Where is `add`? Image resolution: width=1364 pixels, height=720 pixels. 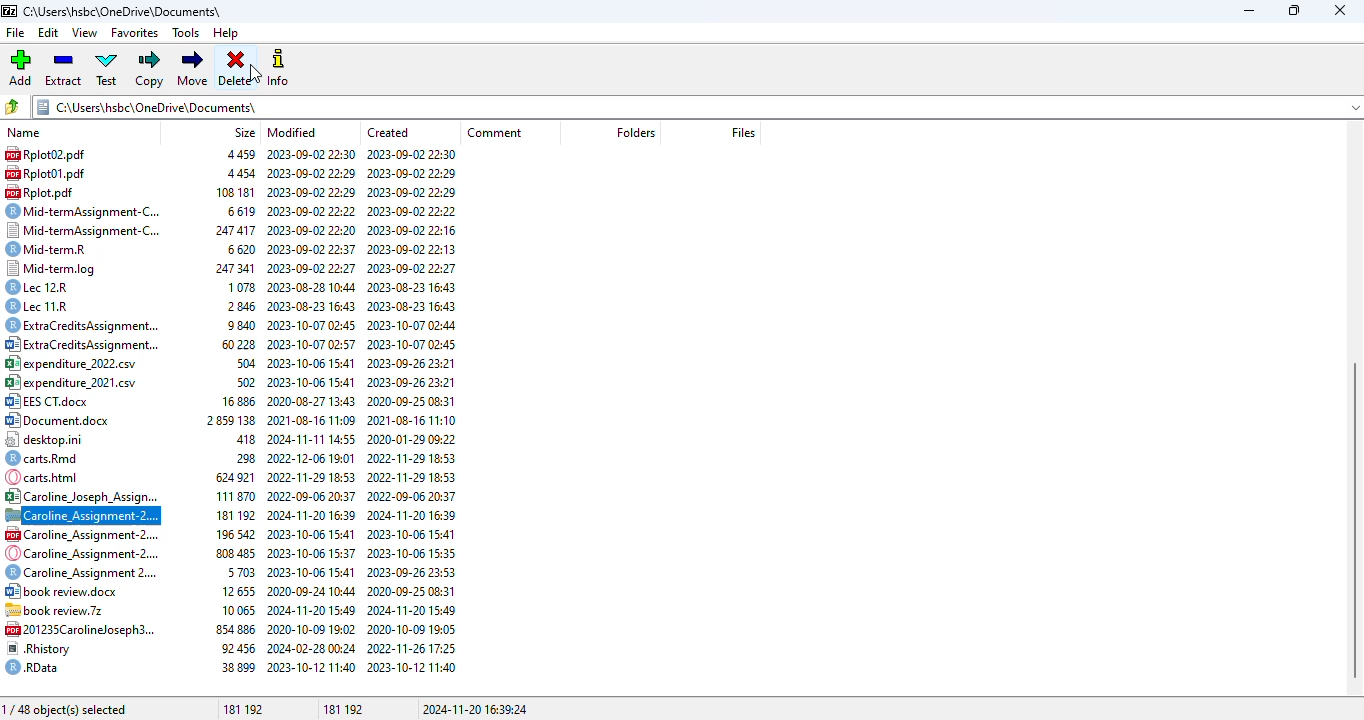 add is located at coordinates (20, 68).